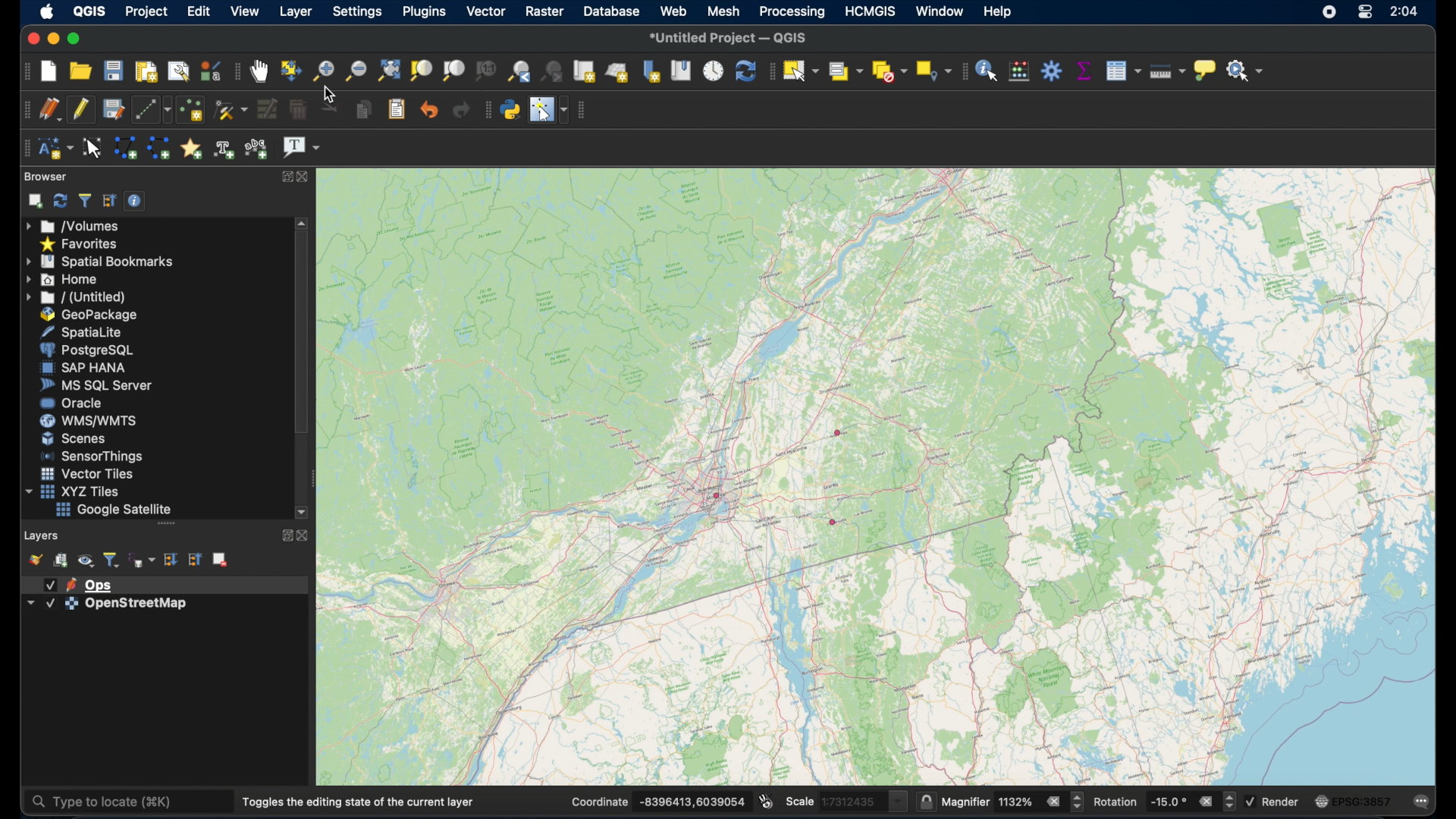  What do you see at coordinates (792, 13) in the screenshot?
I see `processing` at bounding box center [792, 13].